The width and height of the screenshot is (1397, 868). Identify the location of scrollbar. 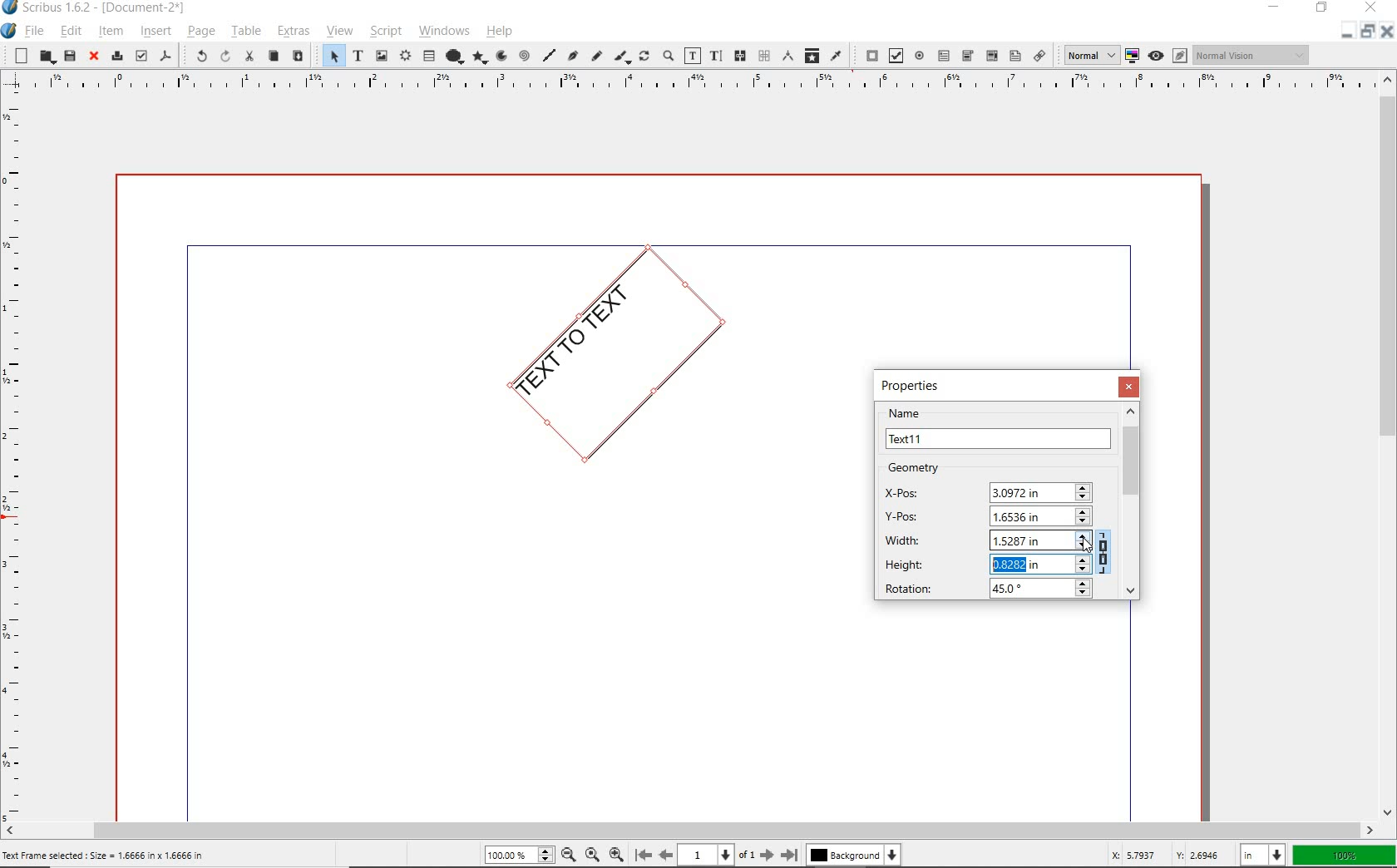
(1389, 445).